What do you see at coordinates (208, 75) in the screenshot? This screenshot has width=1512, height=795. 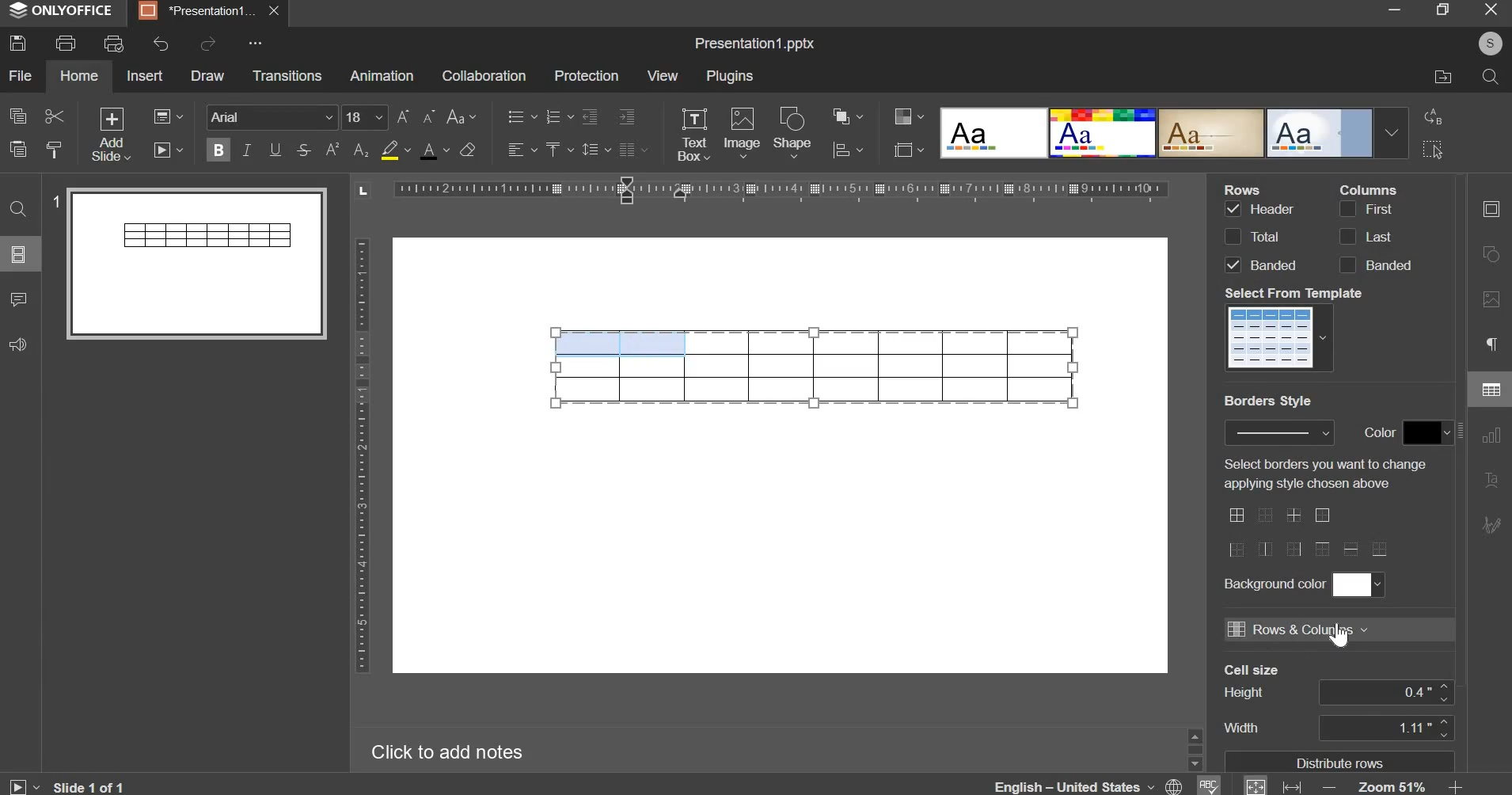 I see `draw` at bounding box center [208, 75].